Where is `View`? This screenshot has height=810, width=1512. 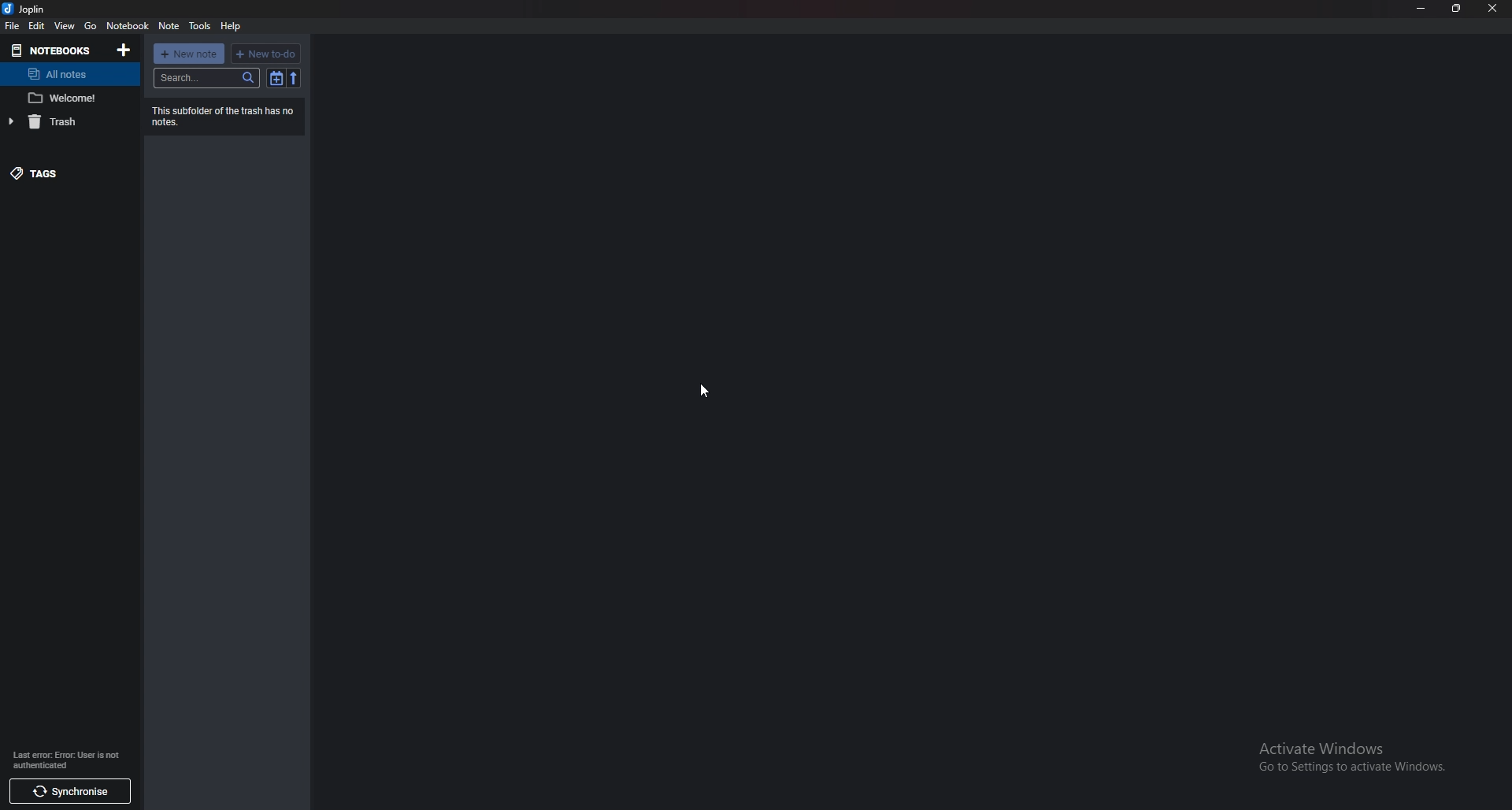 View is located at coordinates (65, 26).